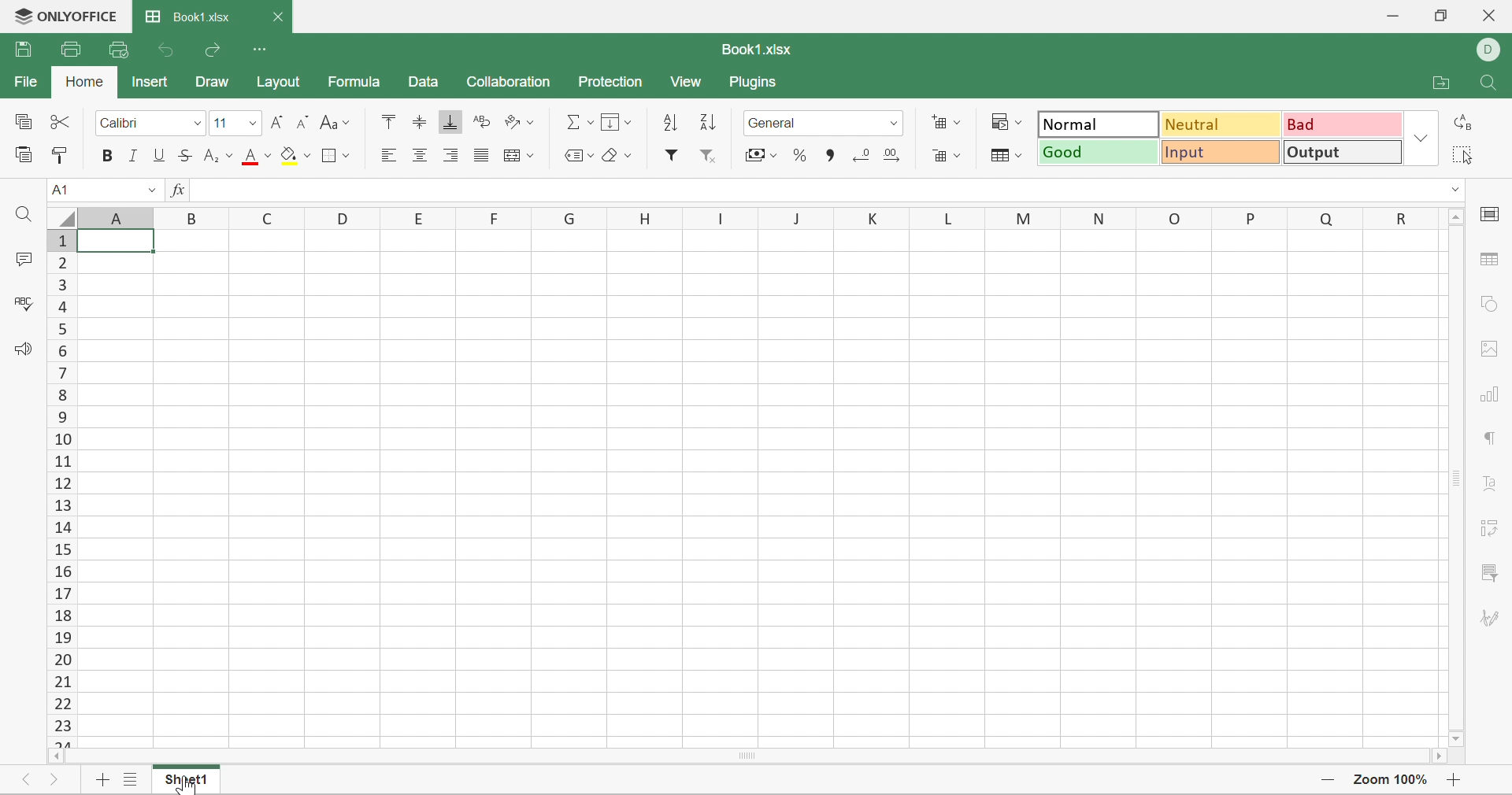 The width and height of the screenshot is (1512, 795). Describe the element at coordinates (1421, 138) in the screenshot. I see `Drop down` at that location.